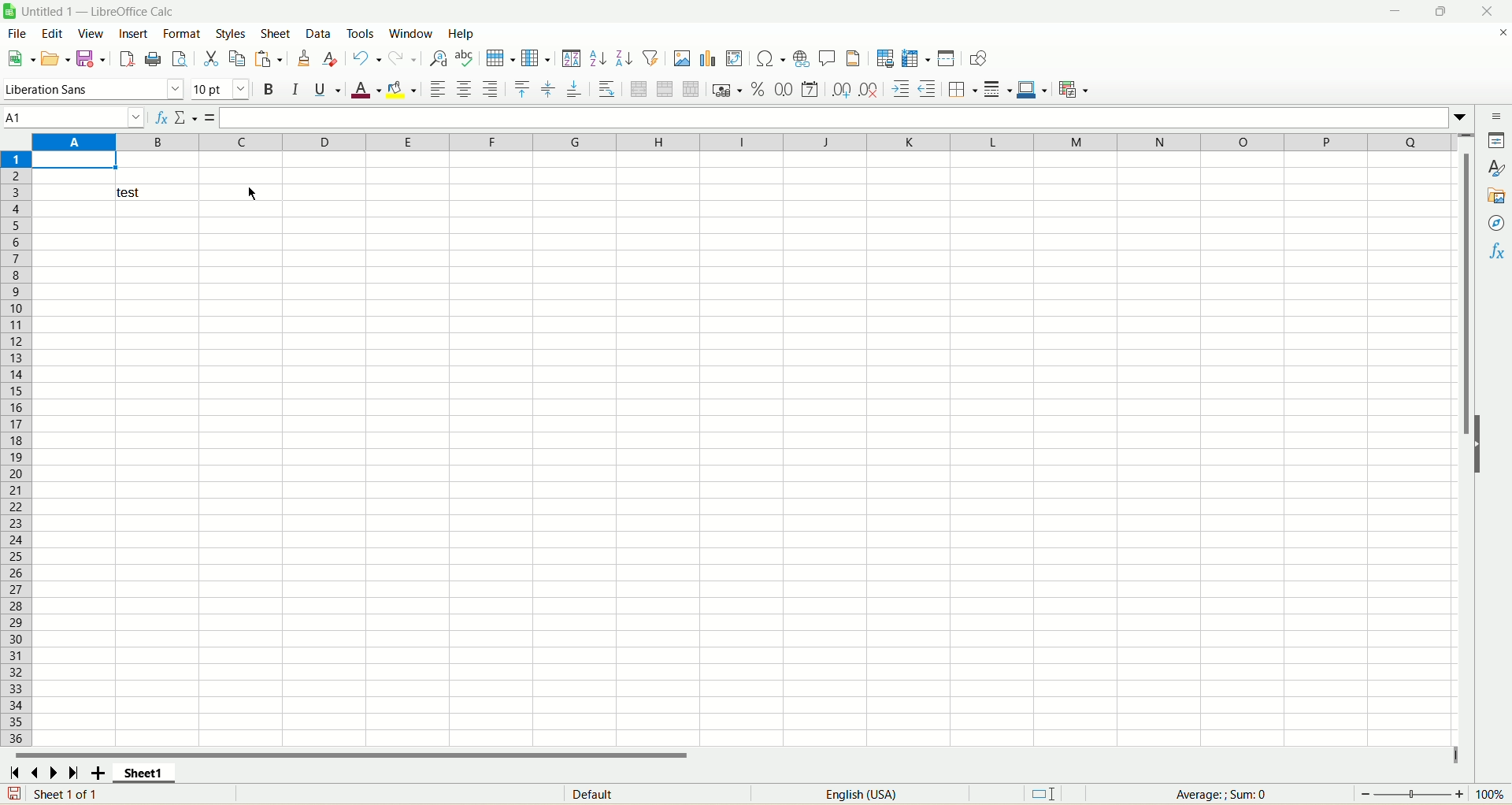 The height and width of the screenshot is (805, 1512). I want to click on last sheet, so click(74, 772).